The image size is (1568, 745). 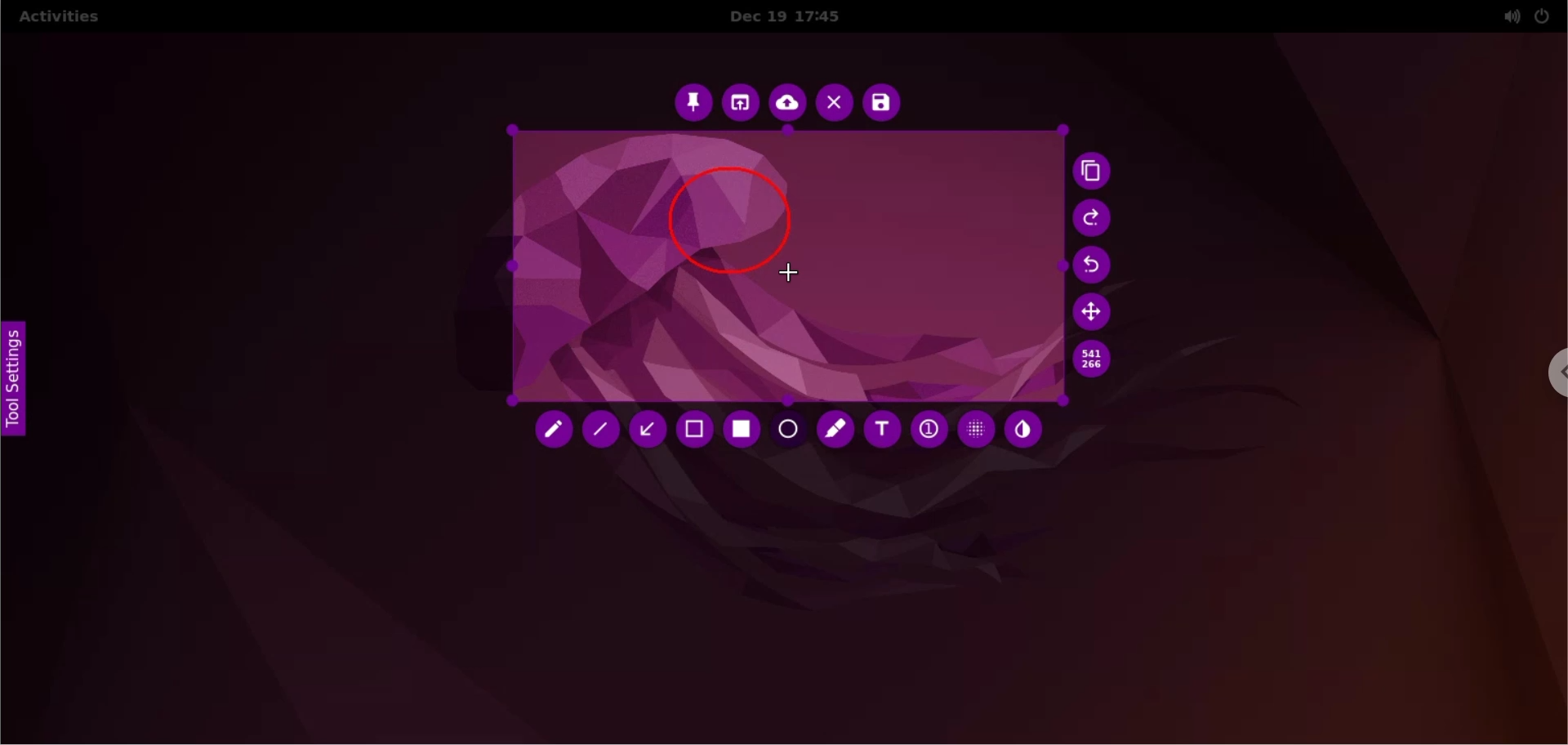 I want to click on save, so click(x=881, y=103).